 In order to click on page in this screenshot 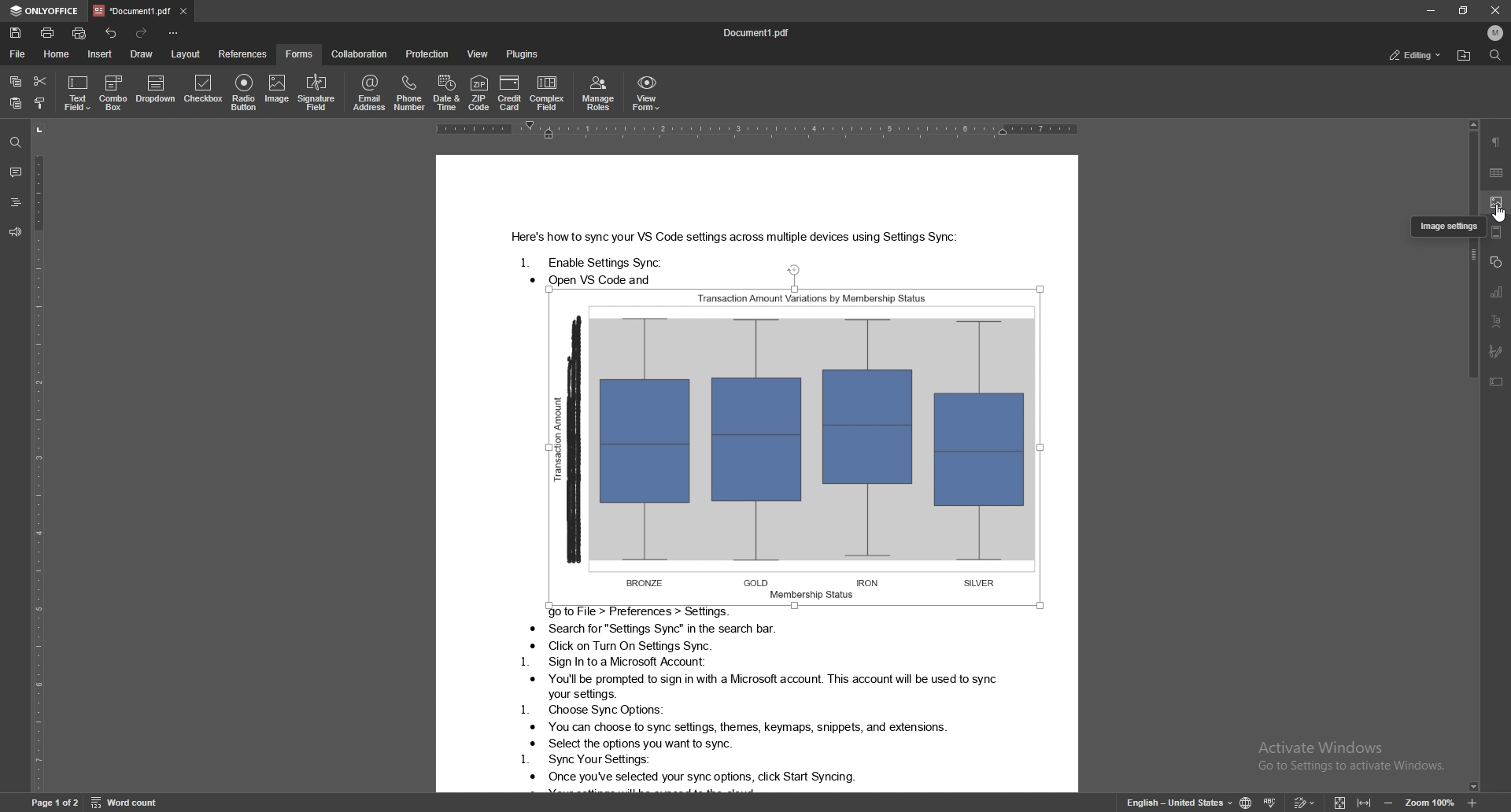, I will do `click(54, 801)`.